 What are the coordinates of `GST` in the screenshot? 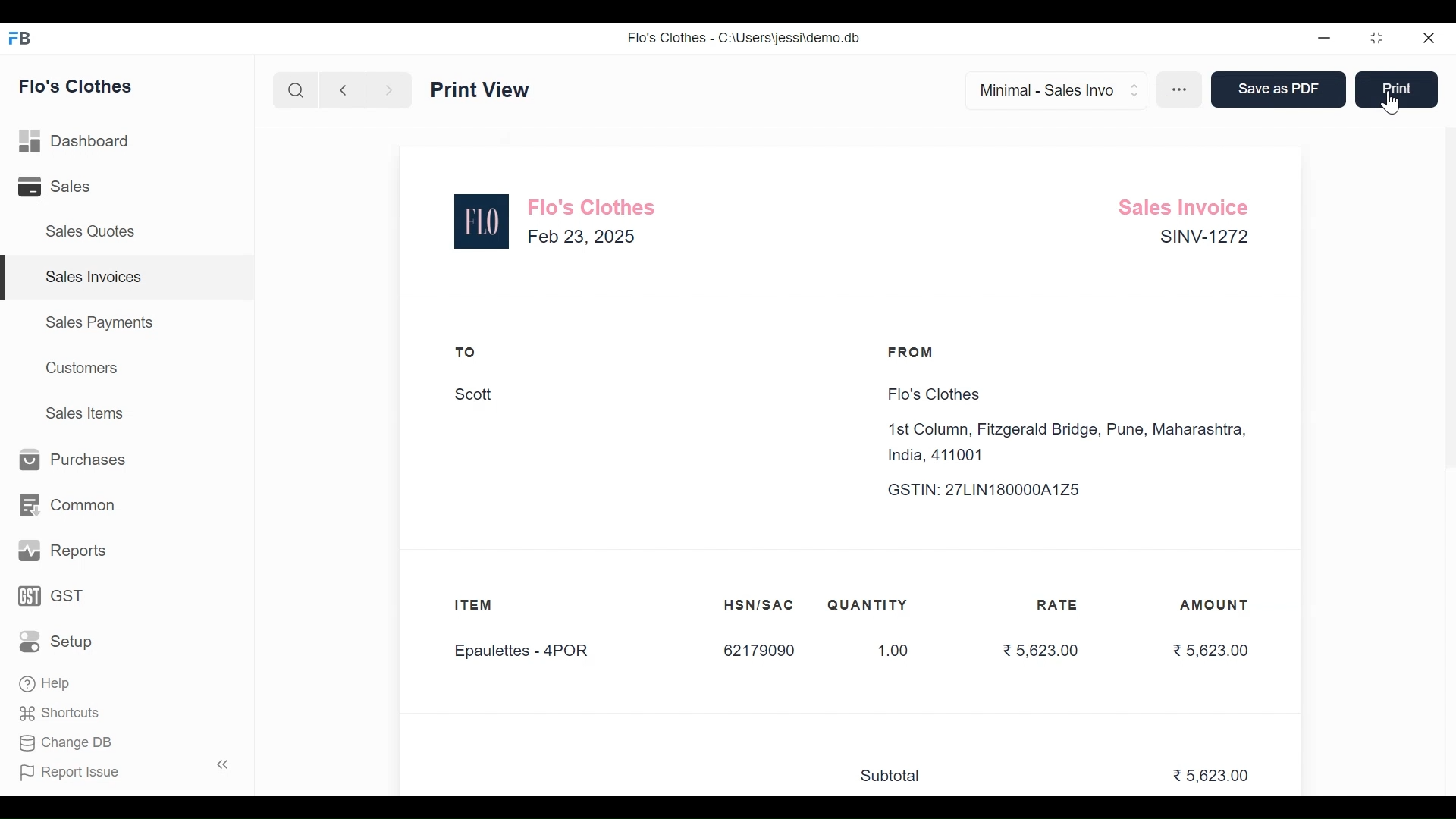 It's located at (52, 595).